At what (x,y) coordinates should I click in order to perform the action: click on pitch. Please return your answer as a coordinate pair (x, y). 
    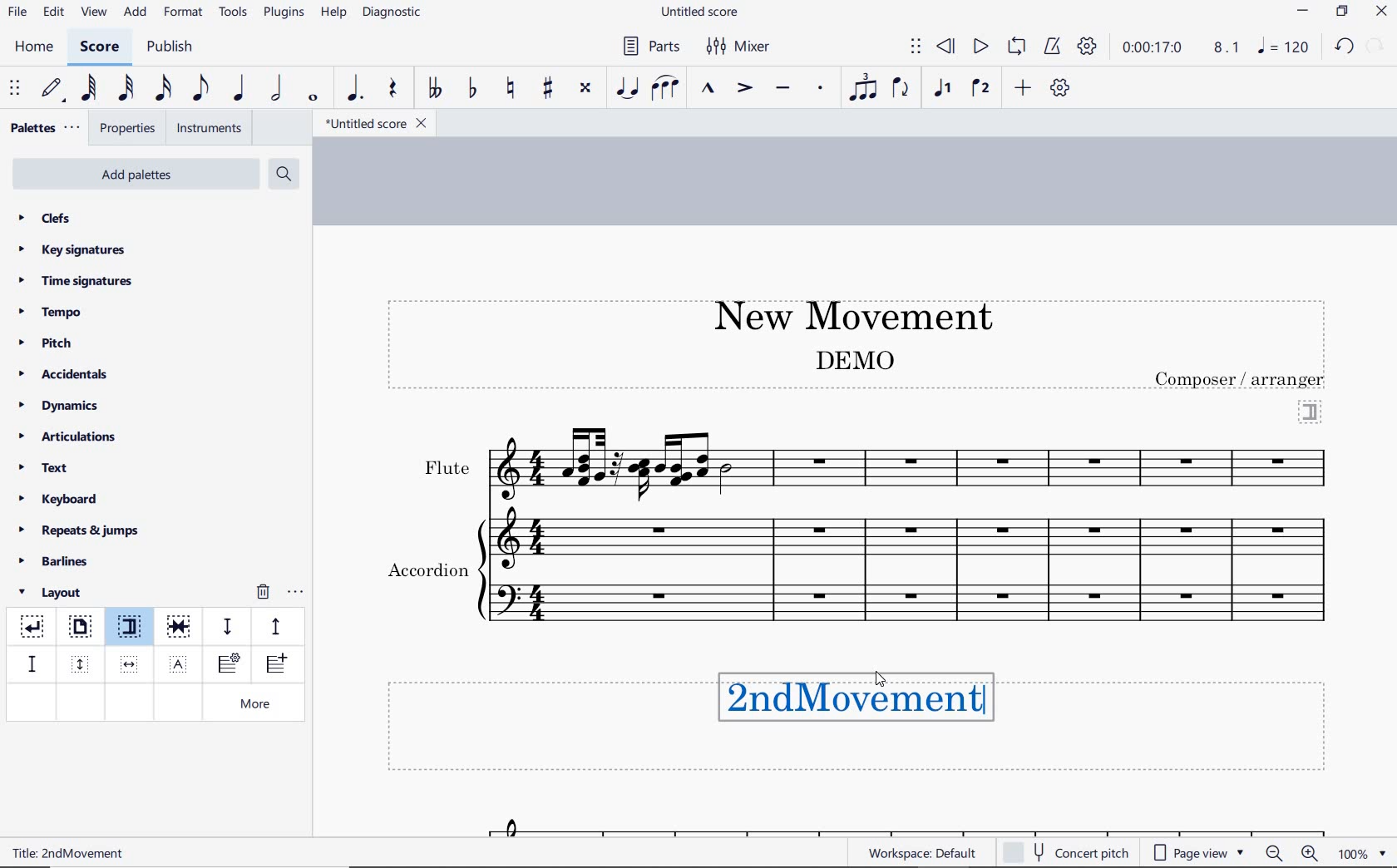
    Looking at the image, I should click on (52, 343).